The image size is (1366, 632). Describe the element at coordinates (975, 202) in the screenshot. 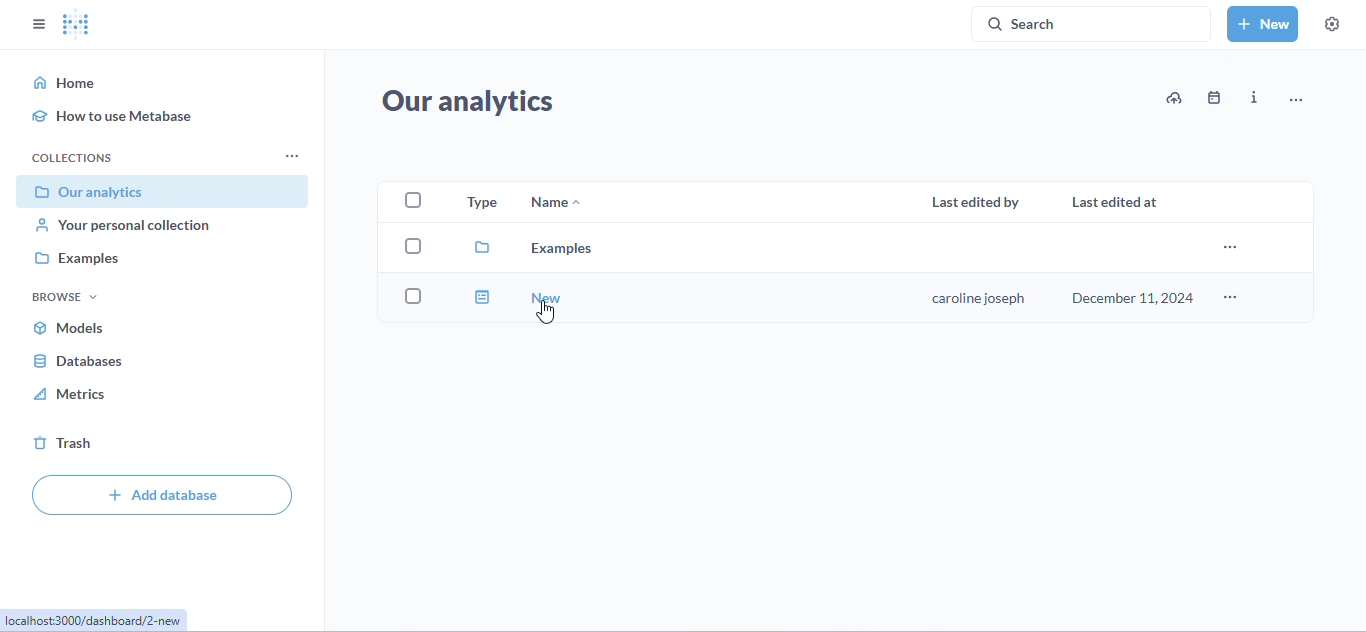

I see `last edited by` at that location.